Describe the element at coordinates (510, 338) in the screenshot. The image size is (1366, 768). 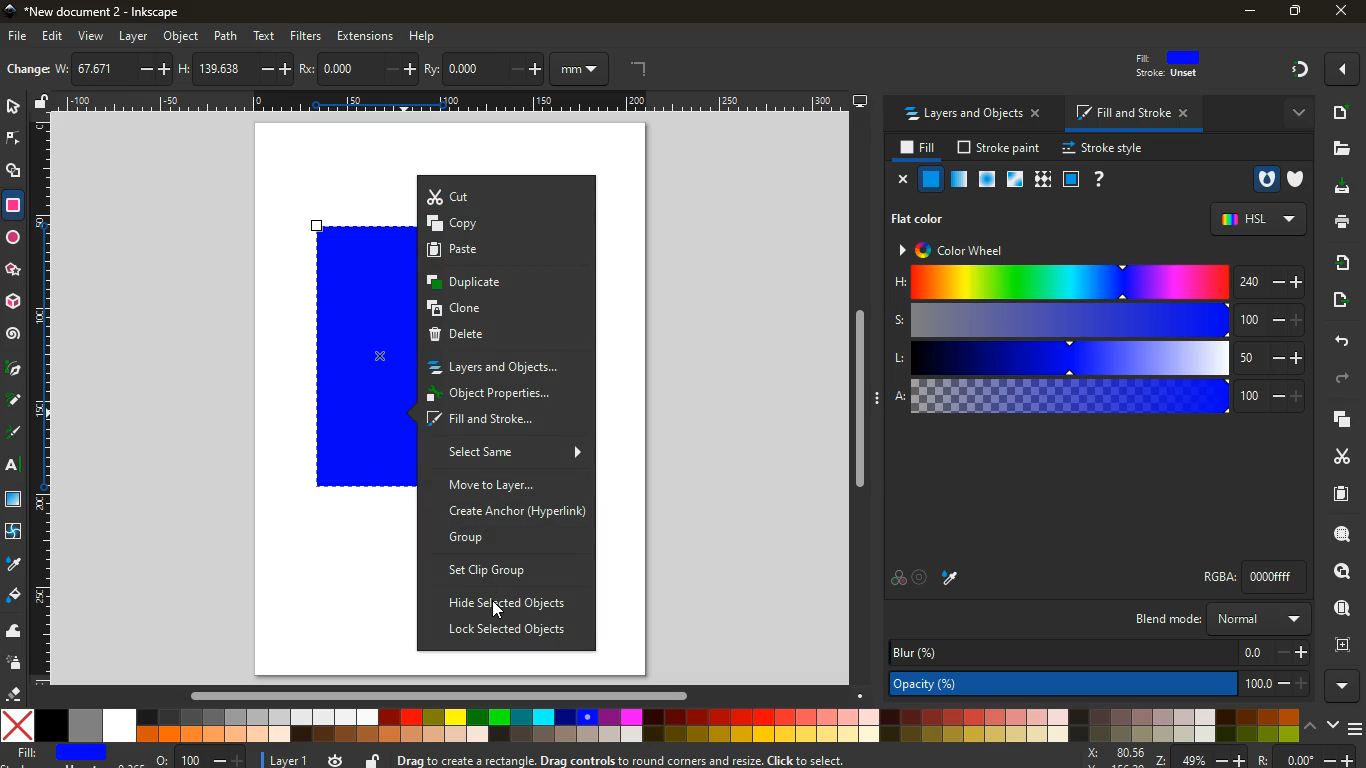
I see `delete` at that location.